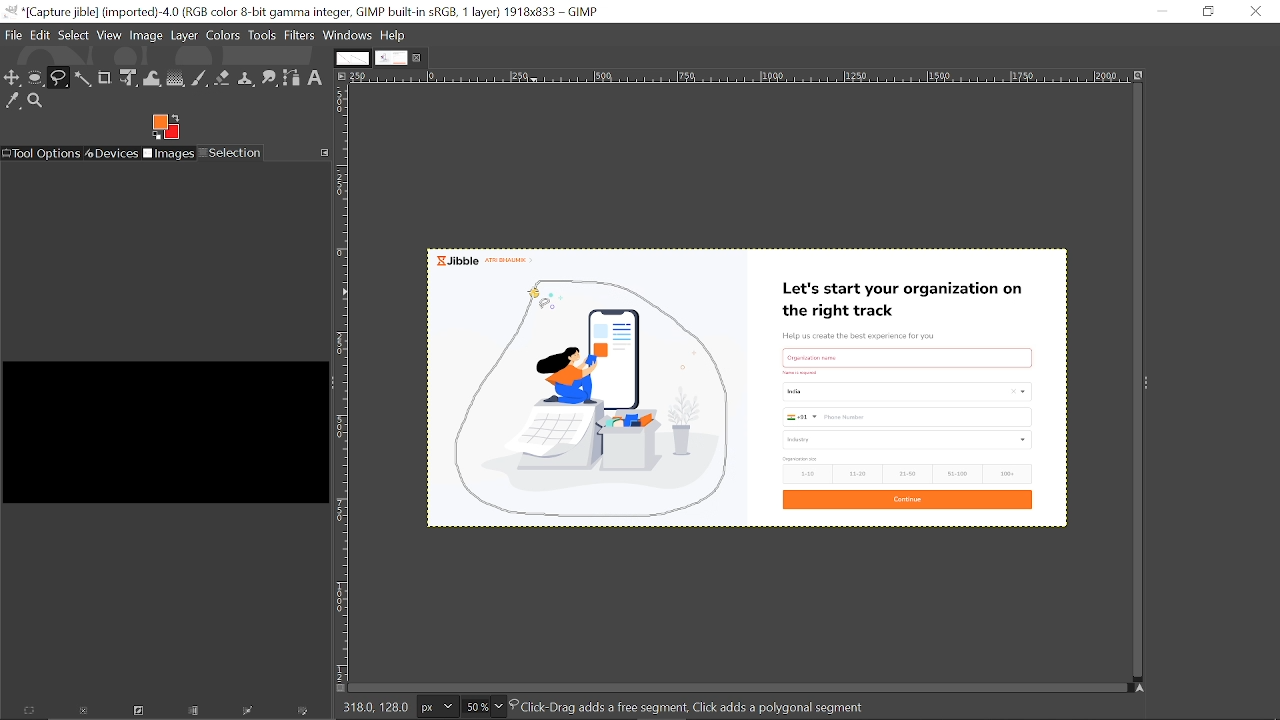  What do you see at coordinates (391, 59) in the screenshot?
I see `Current tab` at bounding box center [391, 59].